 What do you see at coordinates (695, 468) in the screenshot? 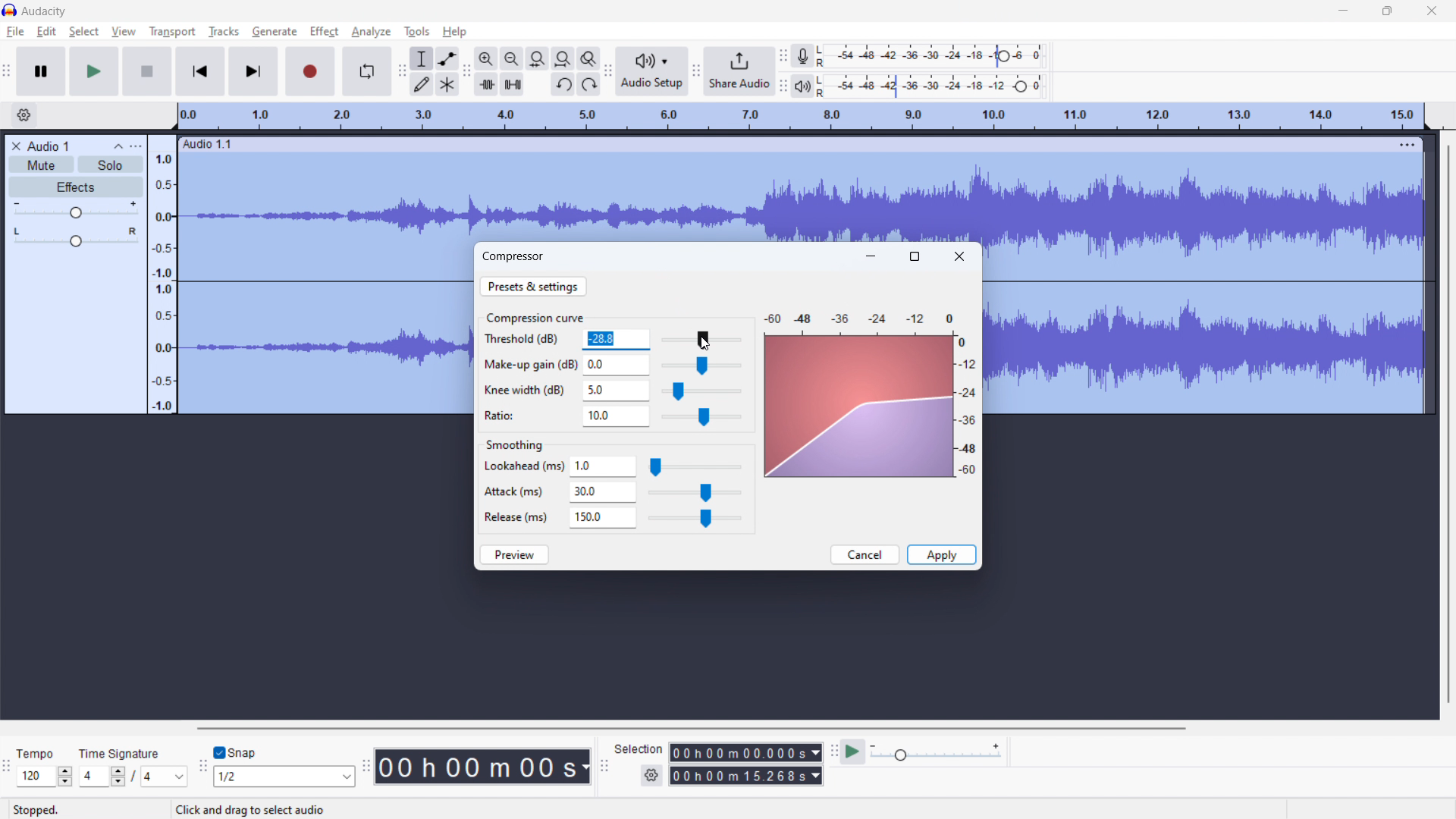
I see `lookahead slider` at bounding box center [695, 468].